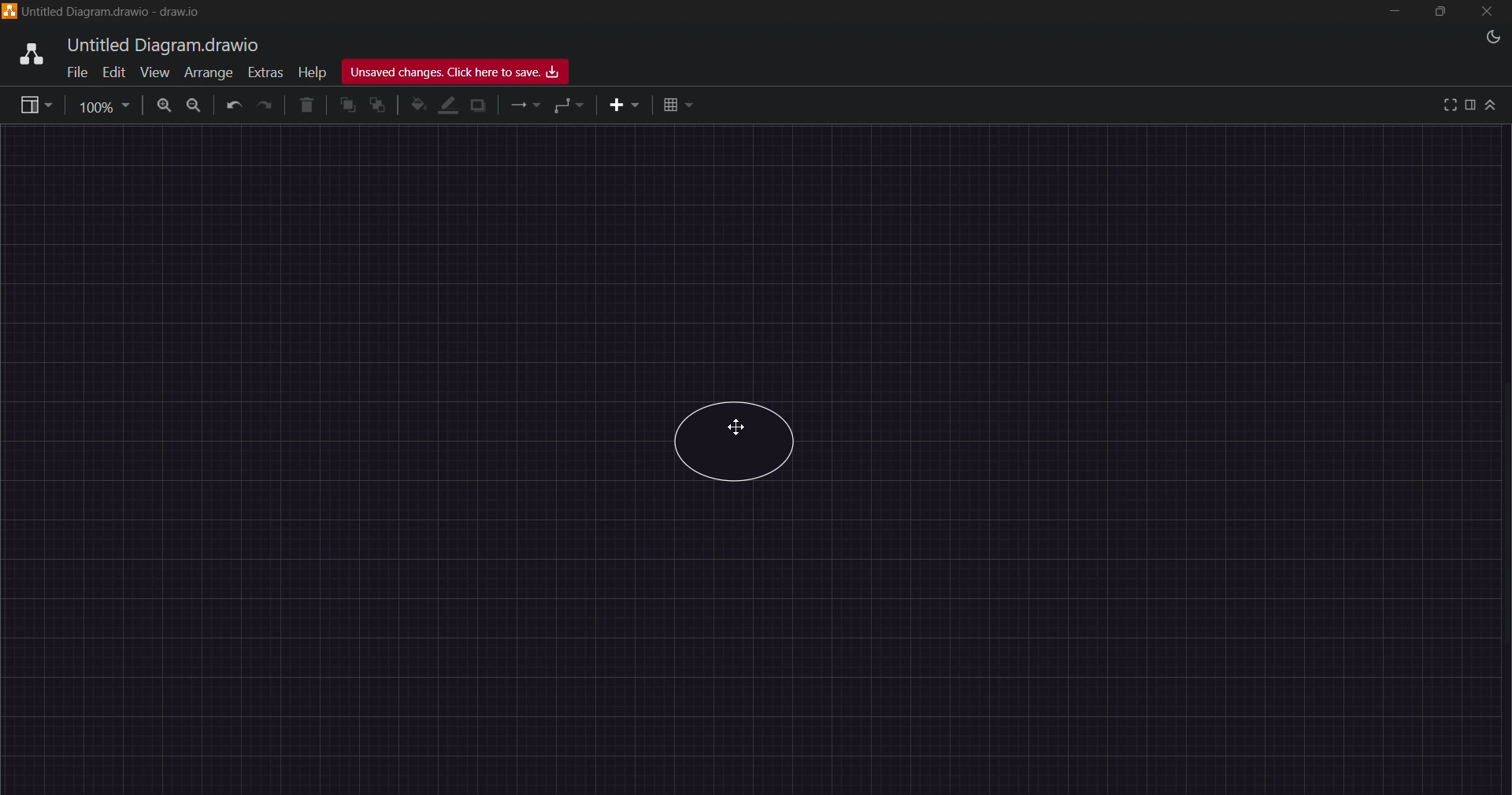  What do you see at coordinates (1393, 11) in the screenshot?
I see `minimize` at bounding box center [1393, 11].